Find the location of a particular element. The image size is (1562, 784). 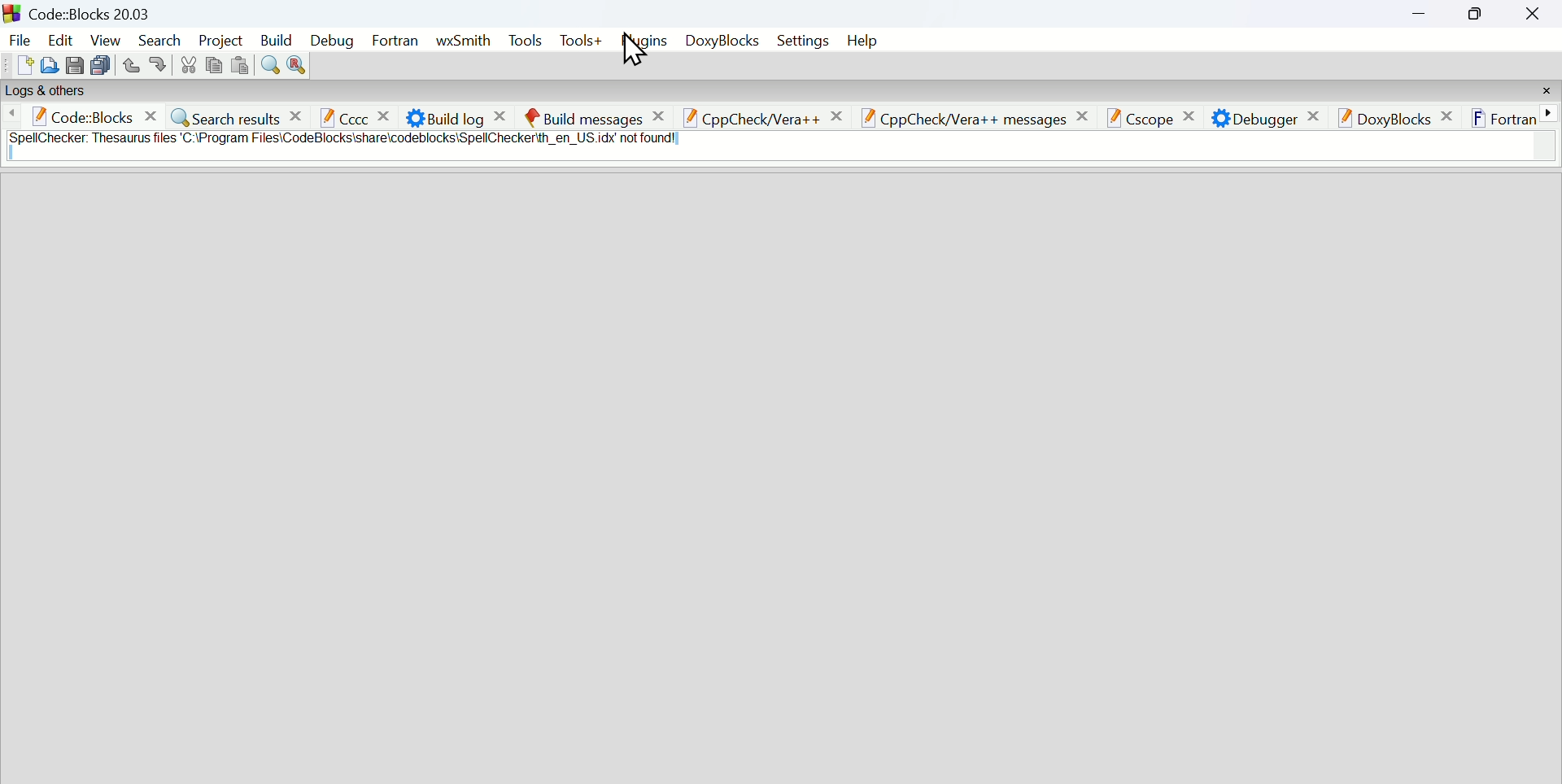

minimize is located at coordinates (1420, 15).